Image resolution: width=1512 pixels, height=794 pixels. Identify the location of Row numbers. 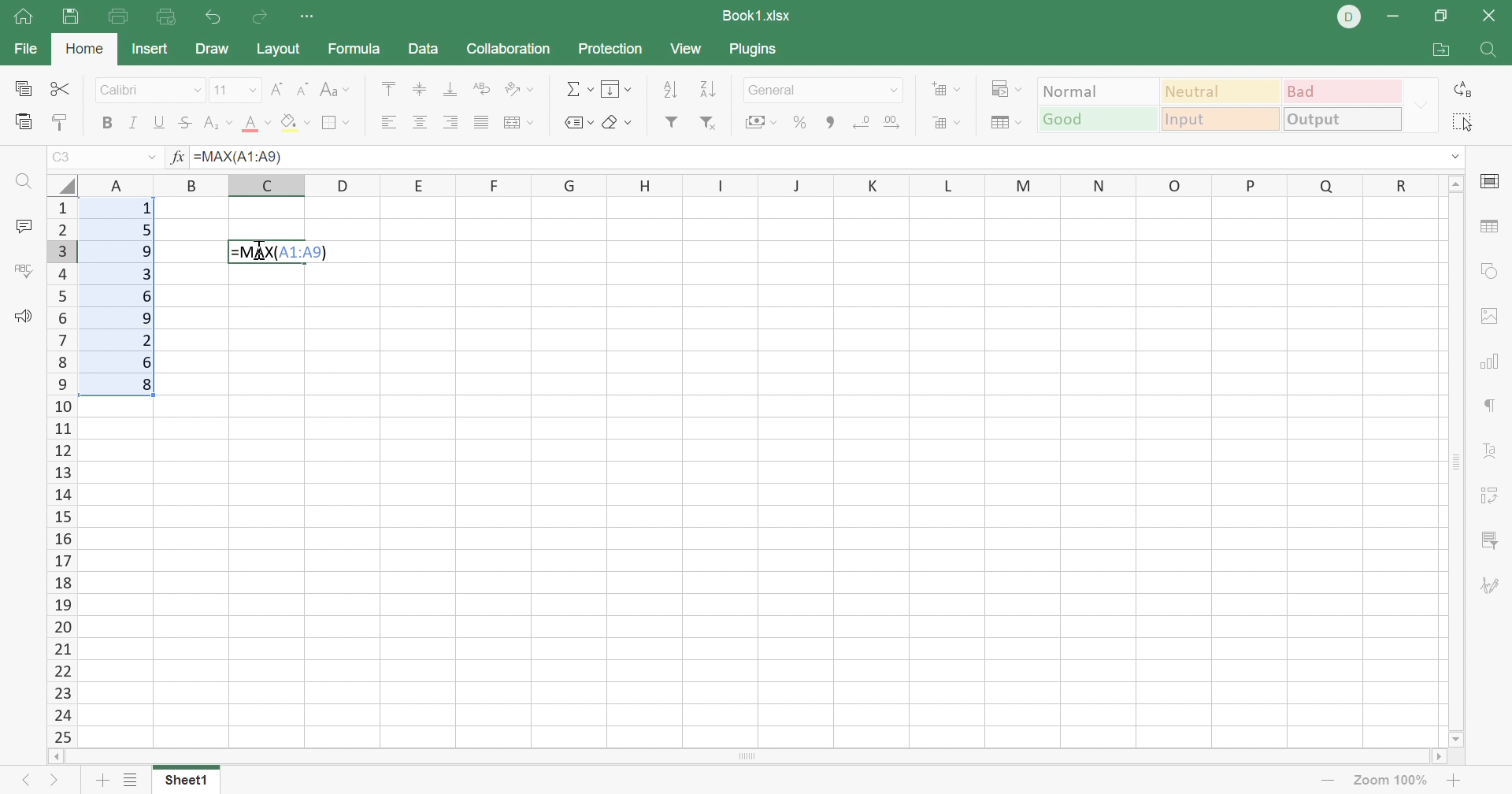
(64, 471).